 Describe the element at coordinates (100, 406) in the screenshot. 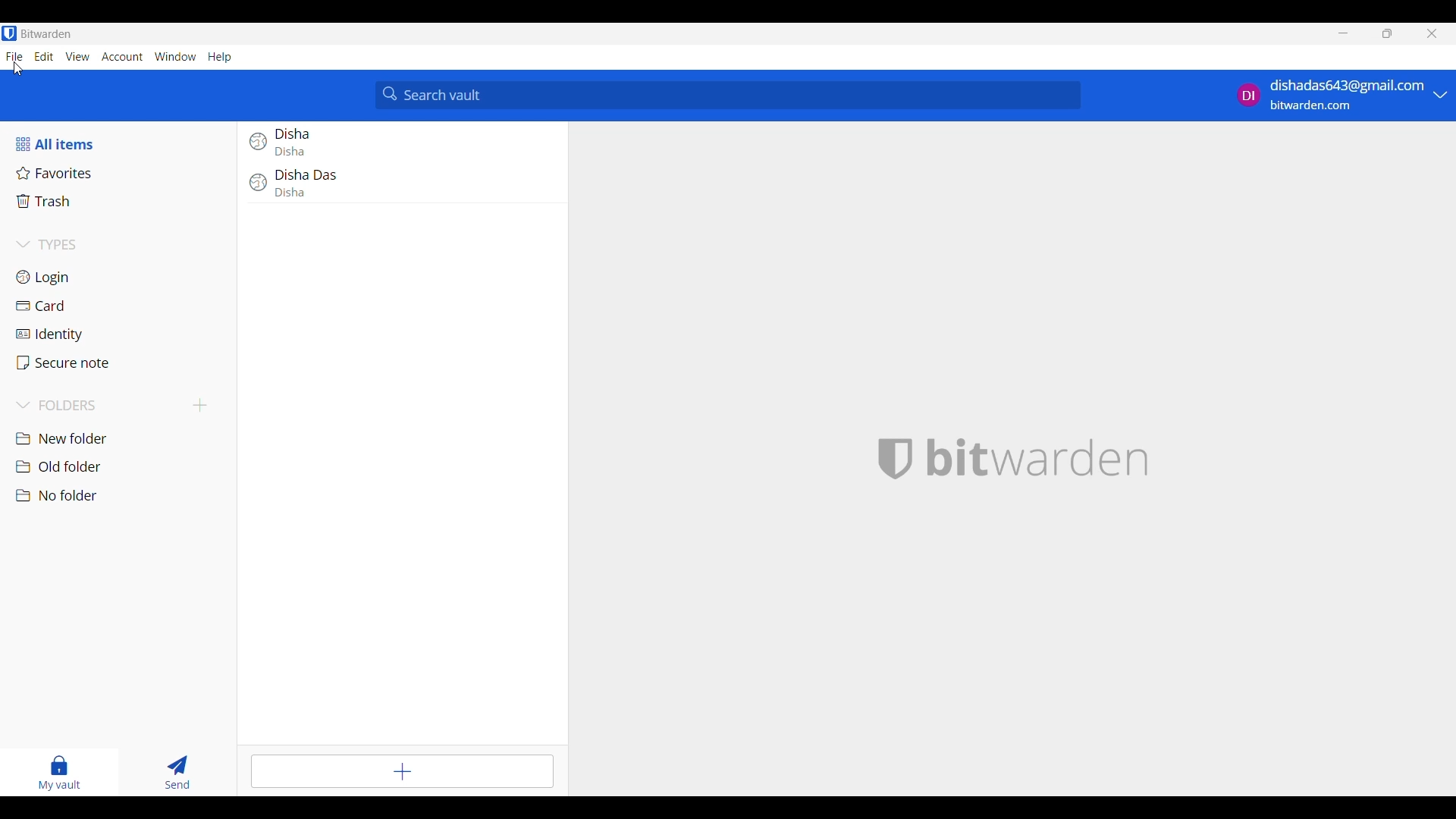

I see `Collapse folders` at that location.